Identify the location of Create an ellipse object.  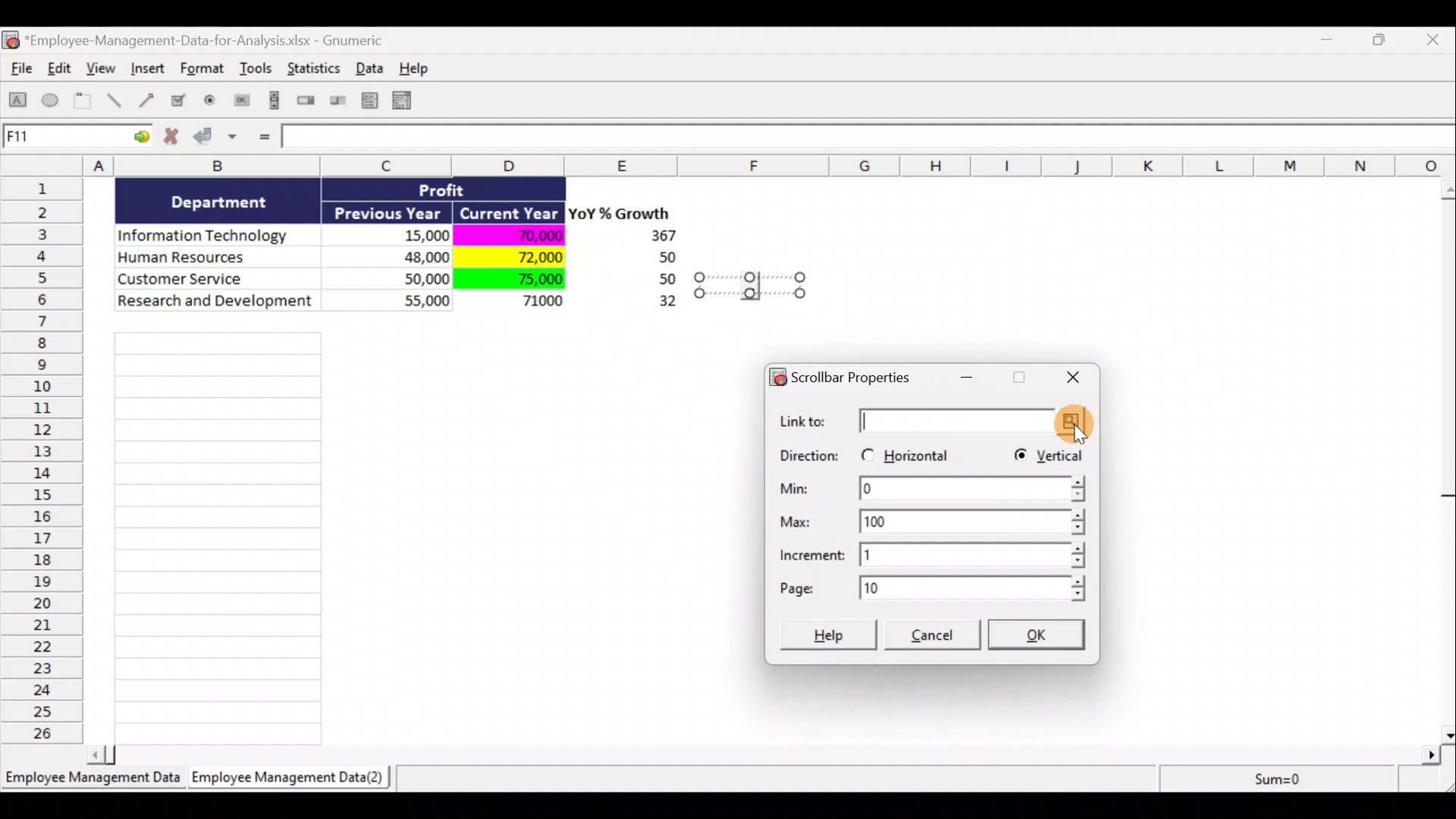
(51, 101).